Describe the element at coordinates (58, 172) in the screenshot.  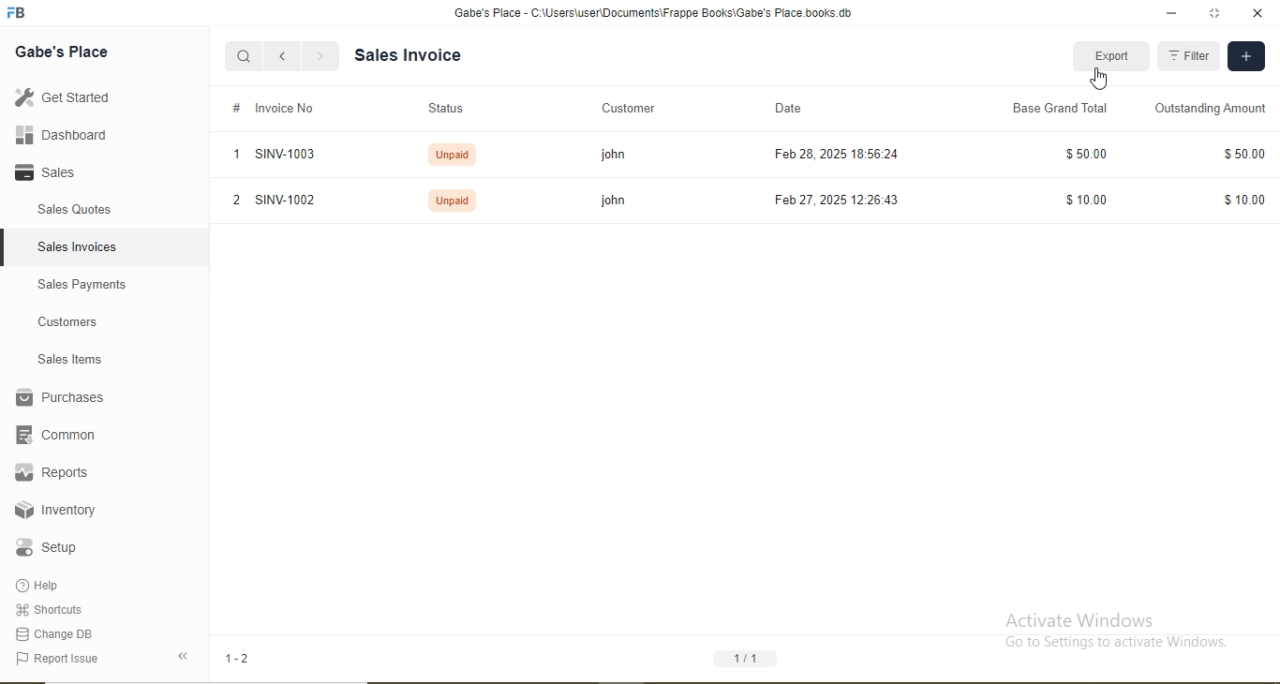
I see `Sales` at that location.